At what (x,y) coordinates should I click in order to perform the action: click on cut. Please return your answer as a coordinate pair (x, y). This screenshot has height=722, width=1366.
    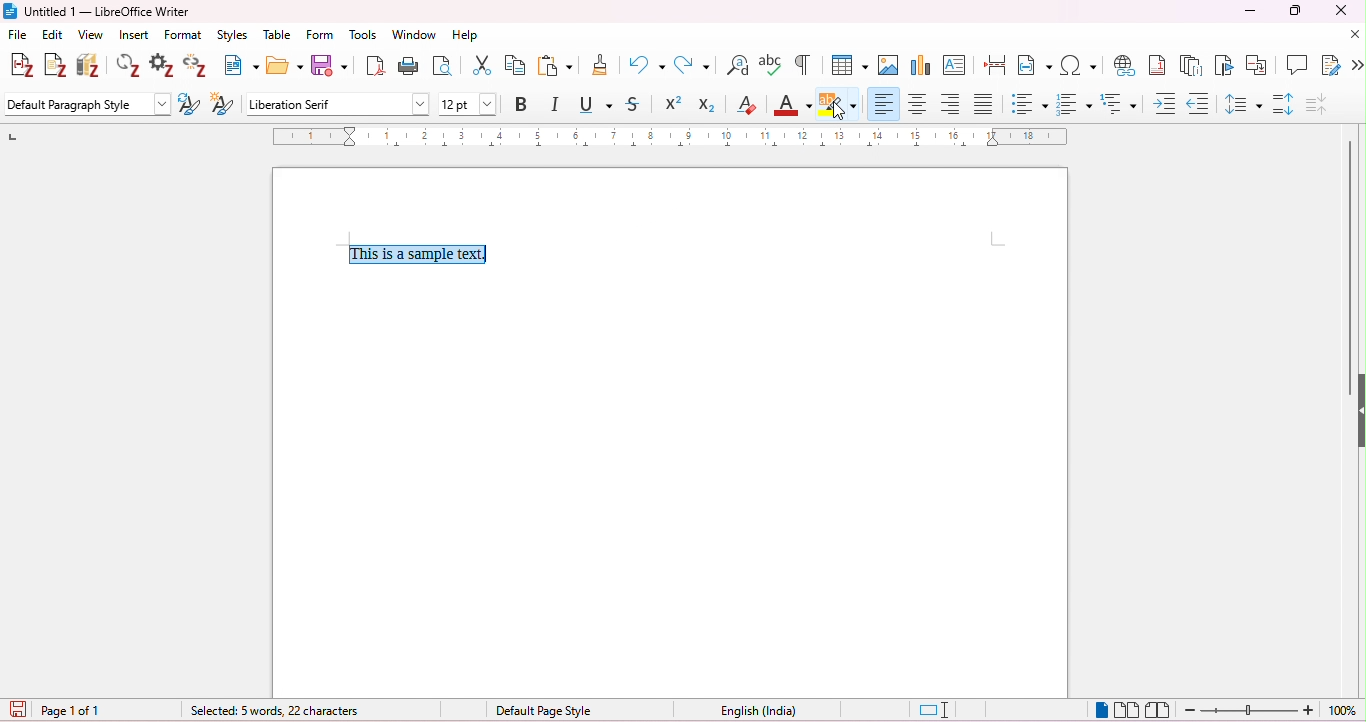
    Looking at the image, I should click on (480, 65).